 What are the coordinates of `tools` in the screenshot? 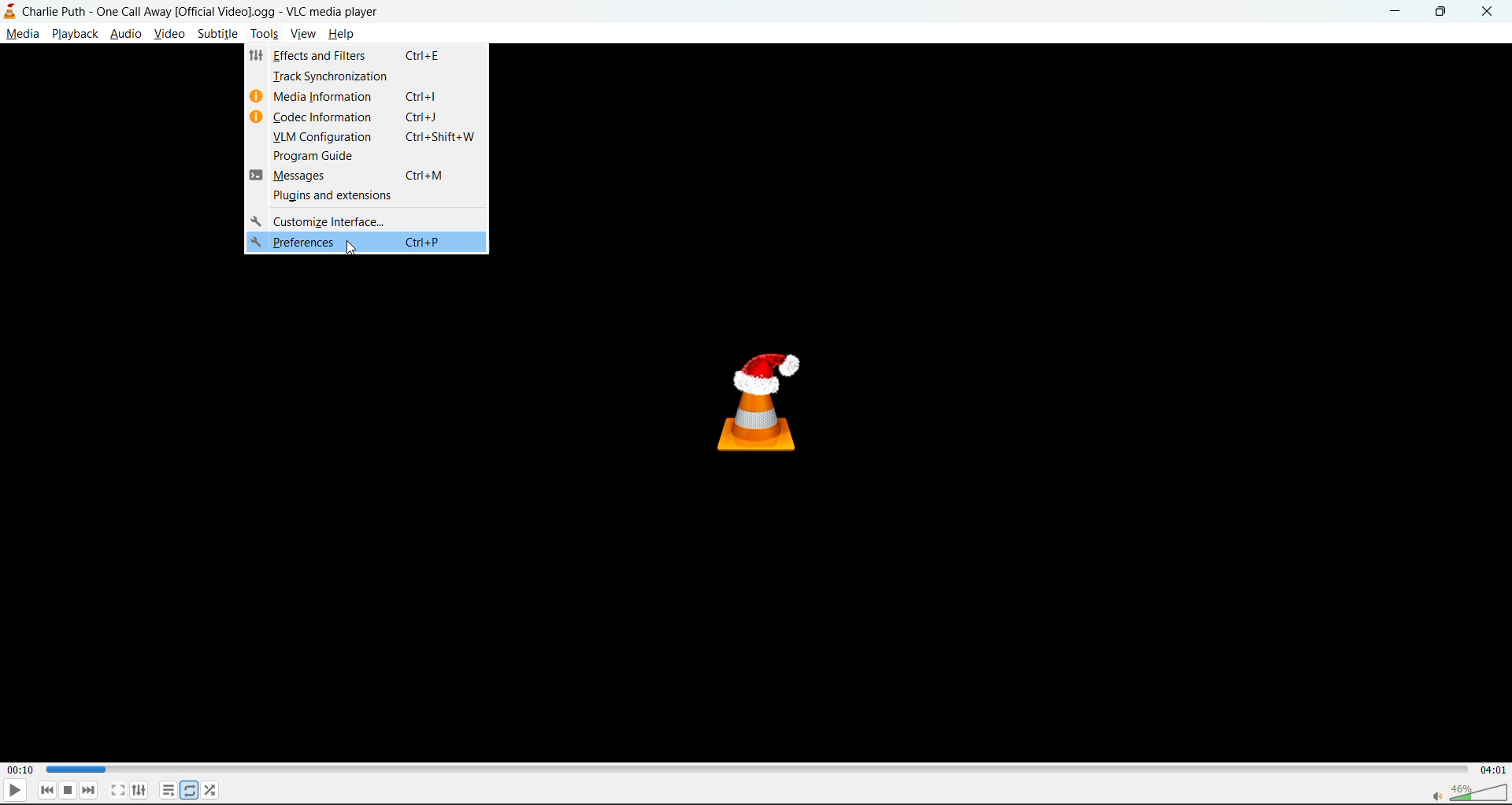 It's located at (265, 33).